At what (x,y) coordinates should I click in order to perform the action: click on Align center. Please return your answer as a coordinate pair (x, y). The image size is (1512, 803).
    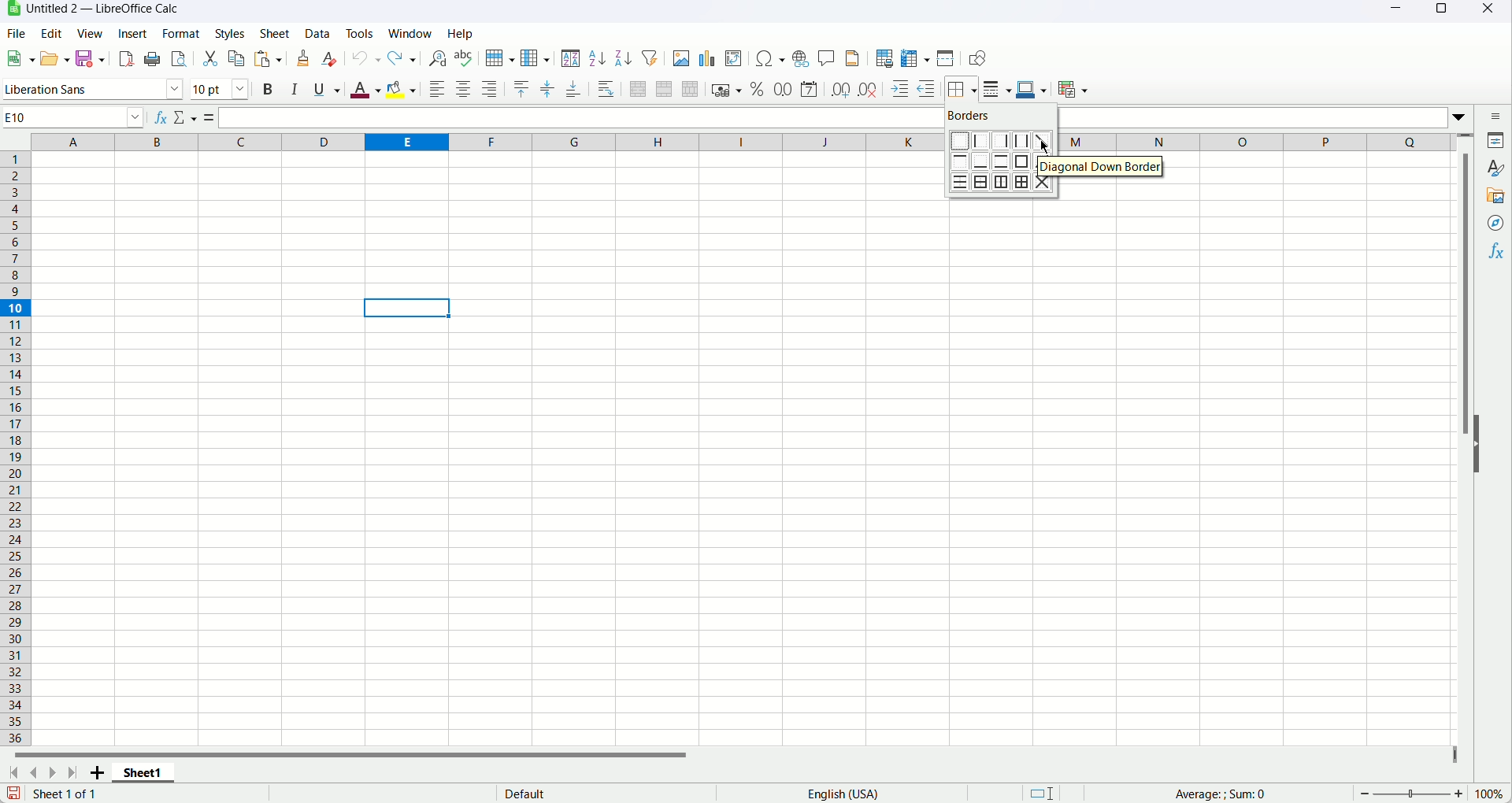
    Looking at the image, I should click on (464, 91).